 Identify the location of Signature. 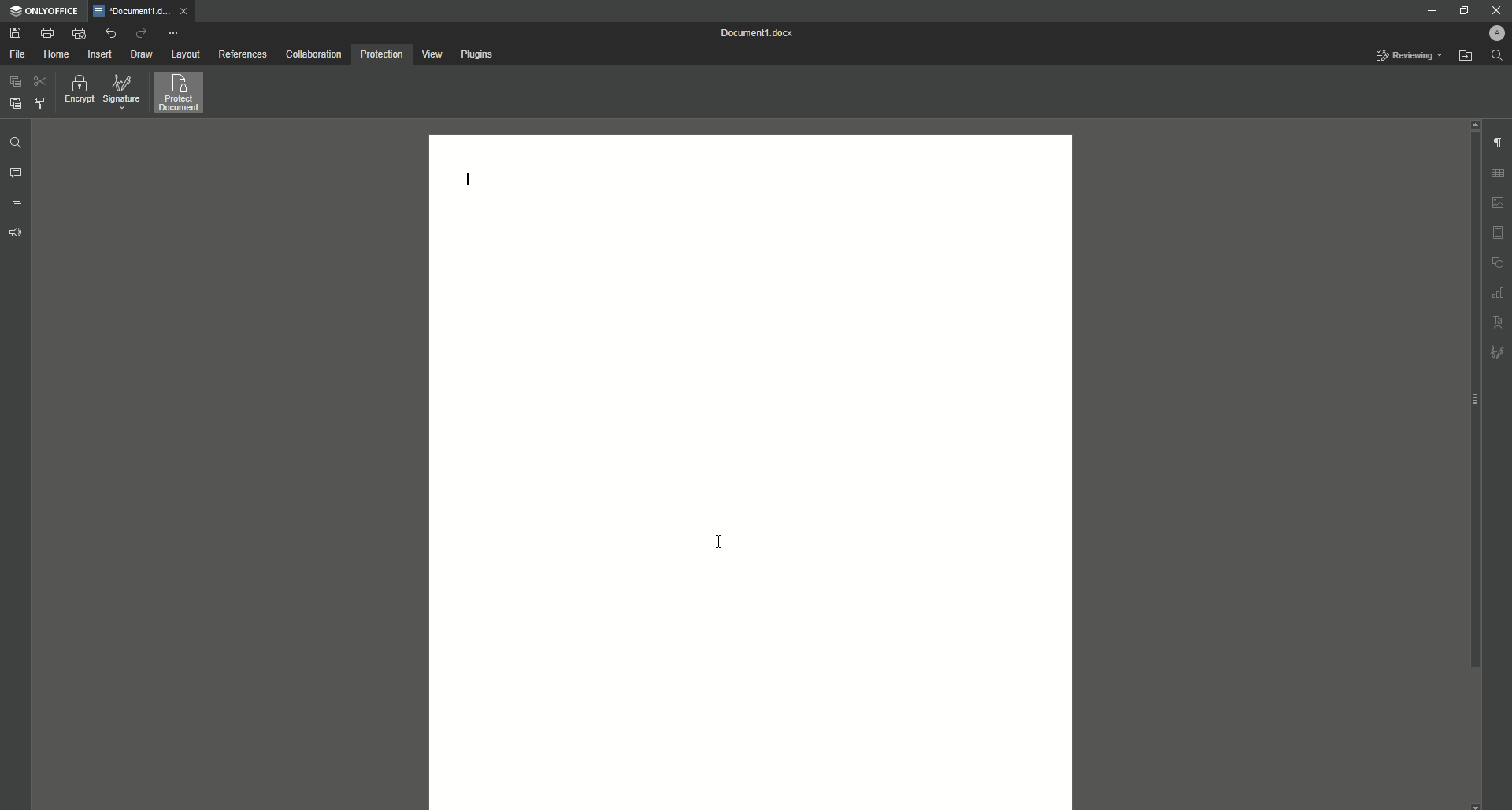
(122, 92).